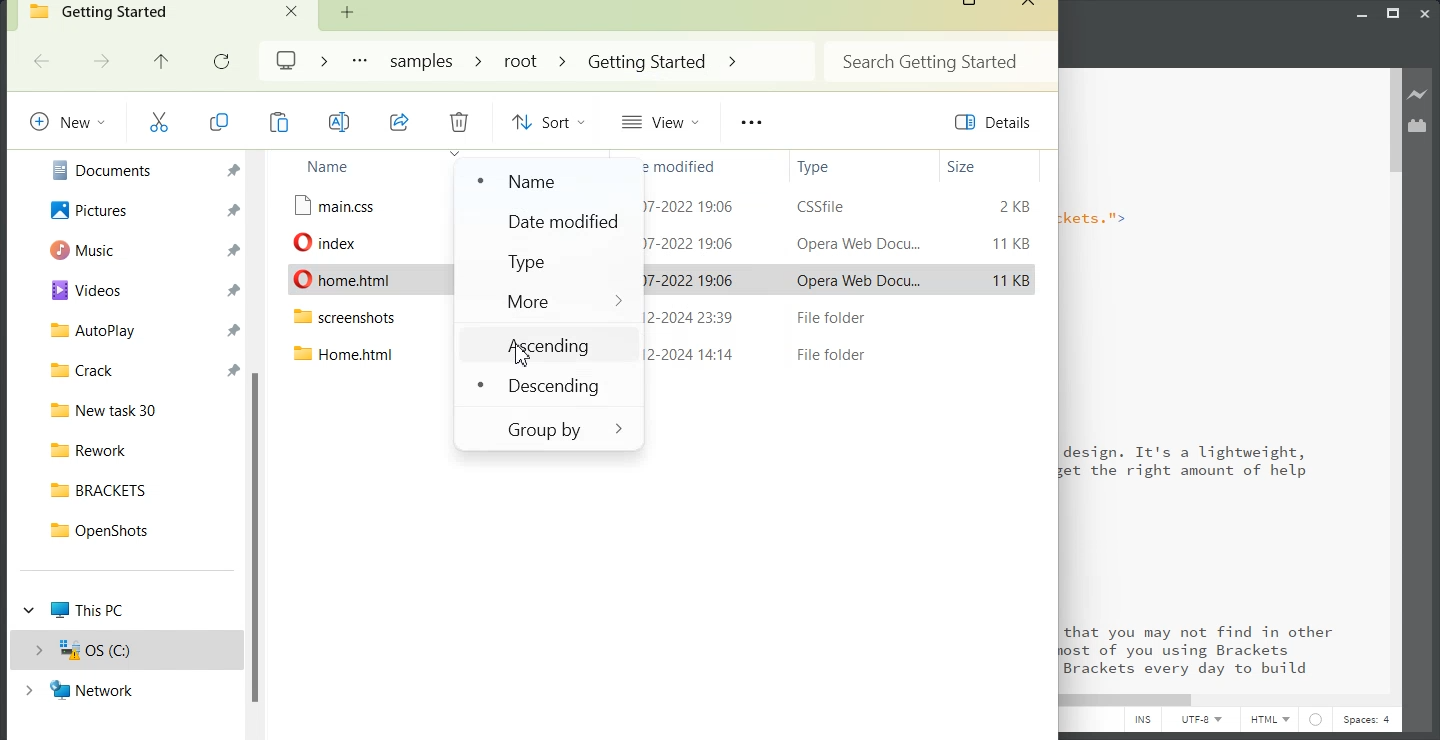 The height and width of the screenshot is (740, 1440). What do you see at coordinates (44, 61) in the screenshot?
I see `Go Back` at bounding box center [44, 61].